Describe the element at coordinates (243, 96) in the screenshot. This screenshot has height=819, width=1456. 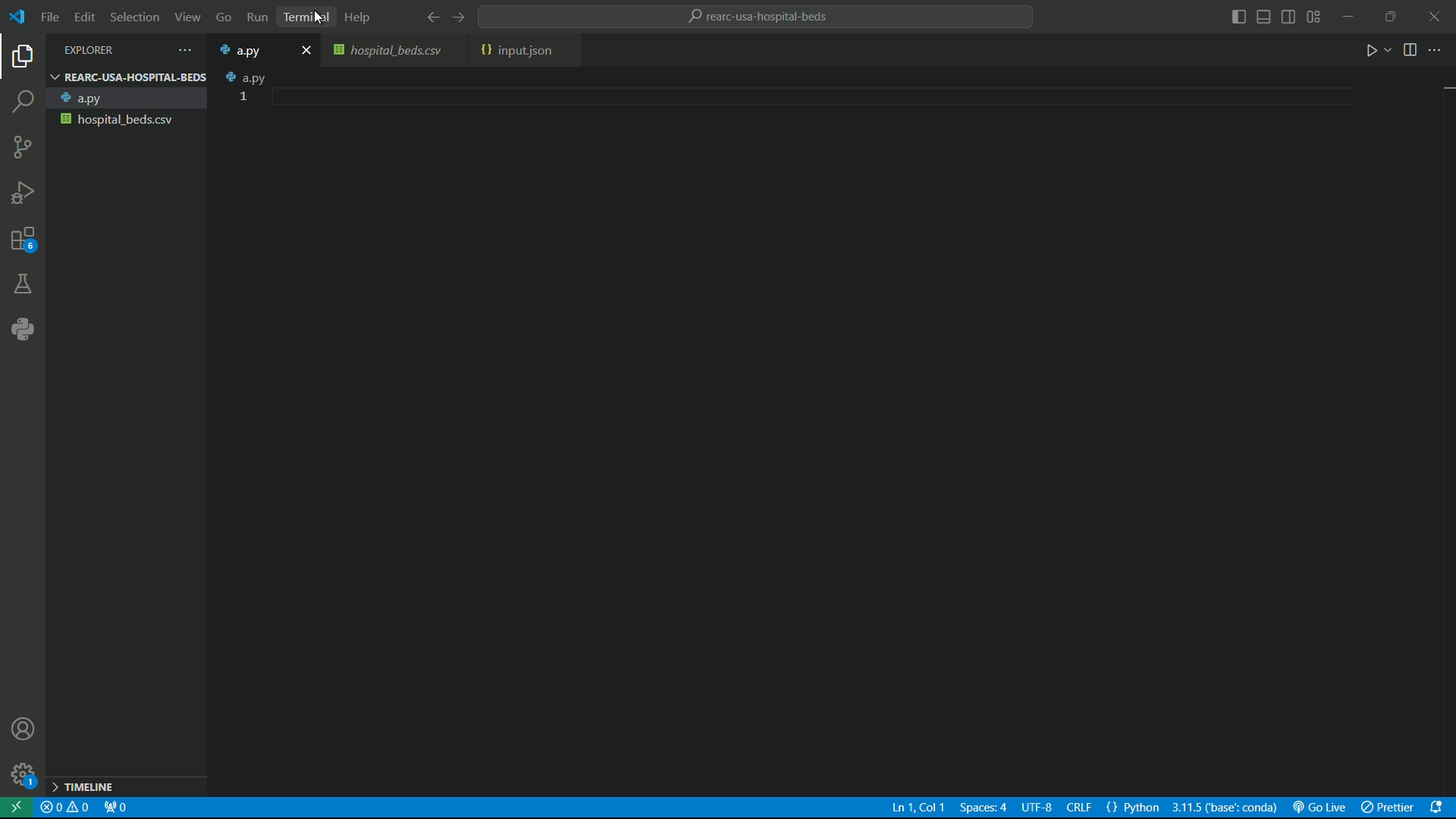
I see `1` at that location.